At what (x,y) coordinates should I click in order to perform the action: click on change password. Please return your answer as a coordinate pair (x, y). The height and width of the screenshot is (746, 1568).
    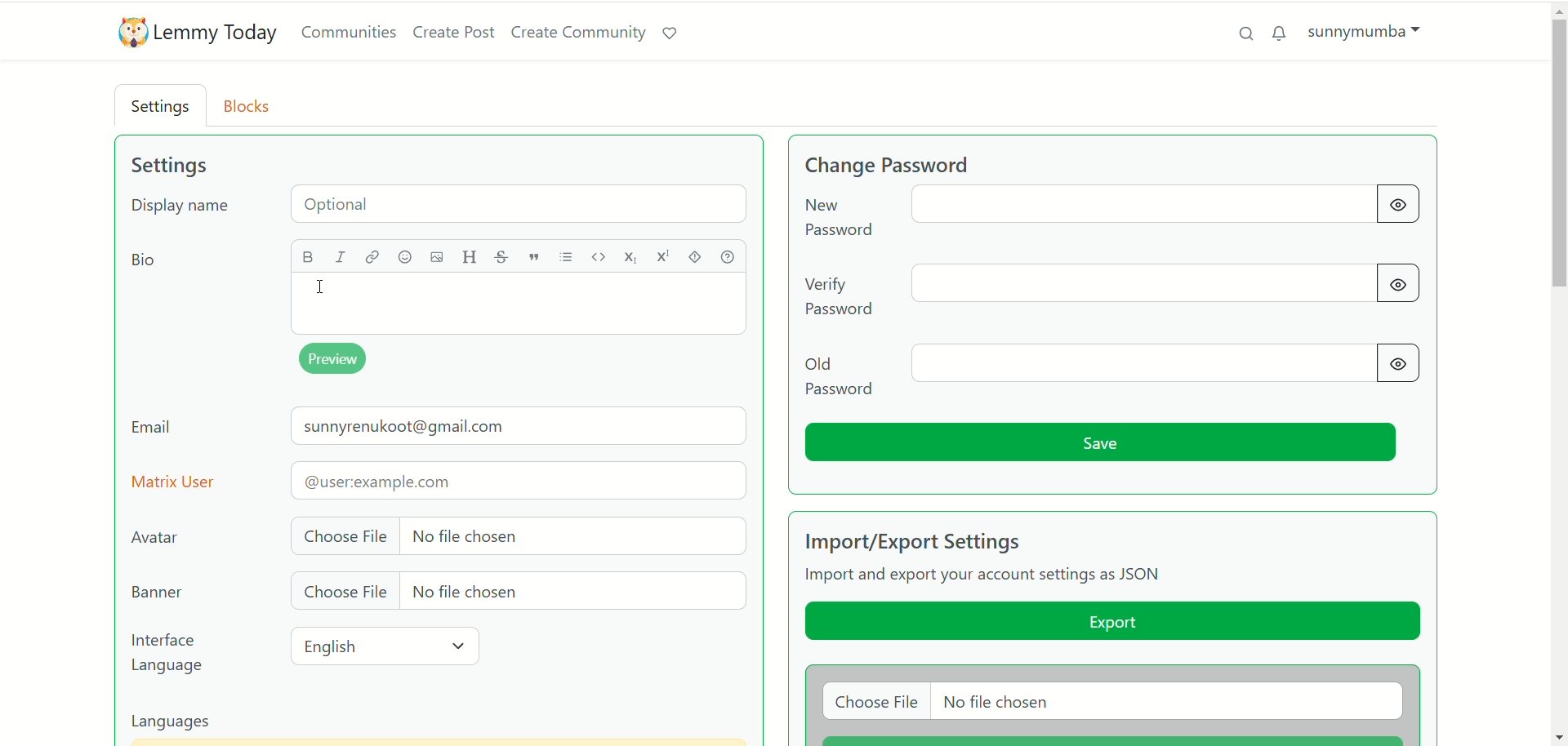
    Looking at the image, I should click on (1106, 215).